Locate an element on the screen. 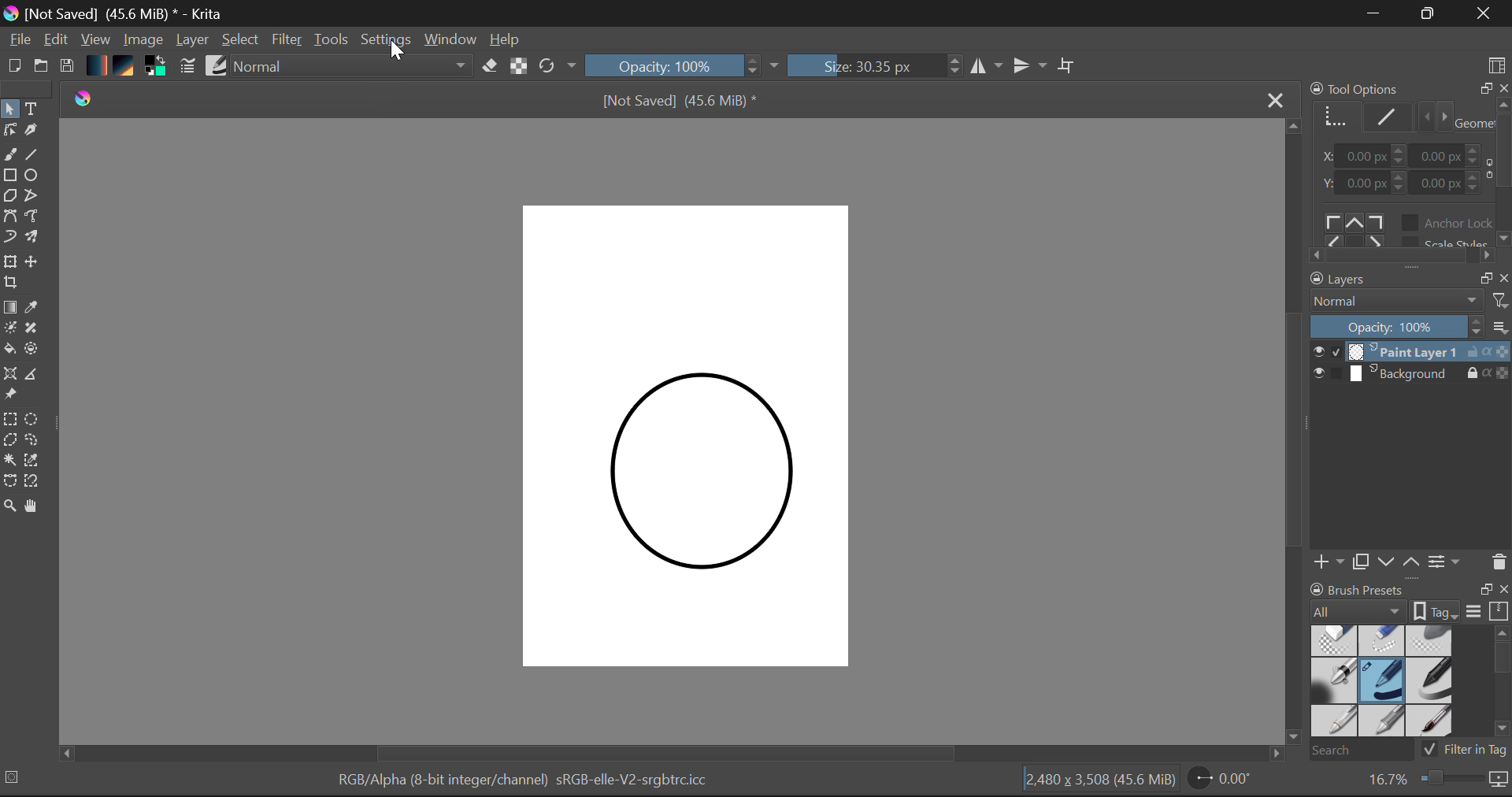 Image resolution: width=1512 pixels, height=797 pixels. Help is located at coordinates (509, 39).